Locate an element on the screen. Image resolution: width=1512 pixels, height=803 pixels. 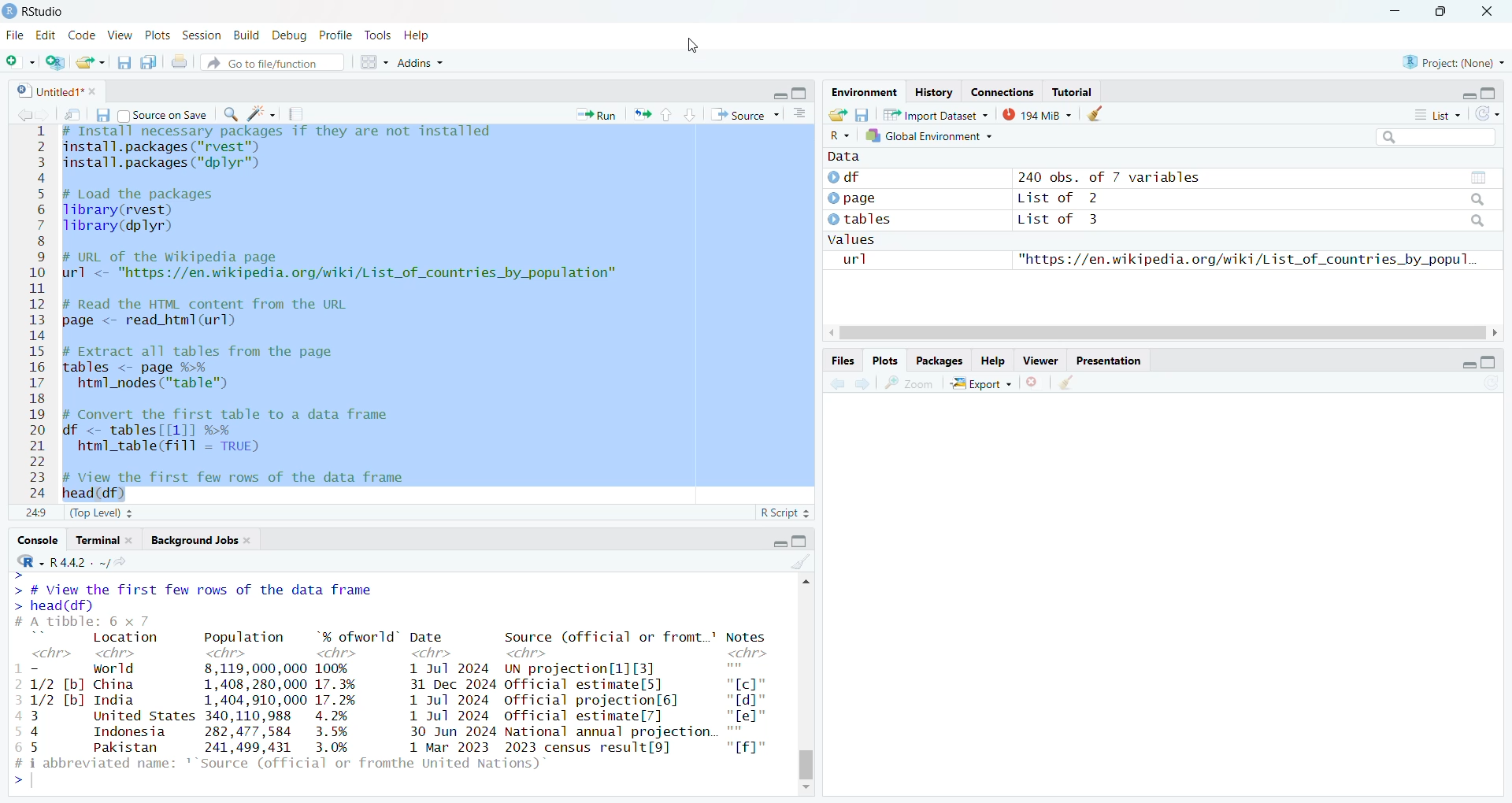
File is located at coordinates (15, 35).